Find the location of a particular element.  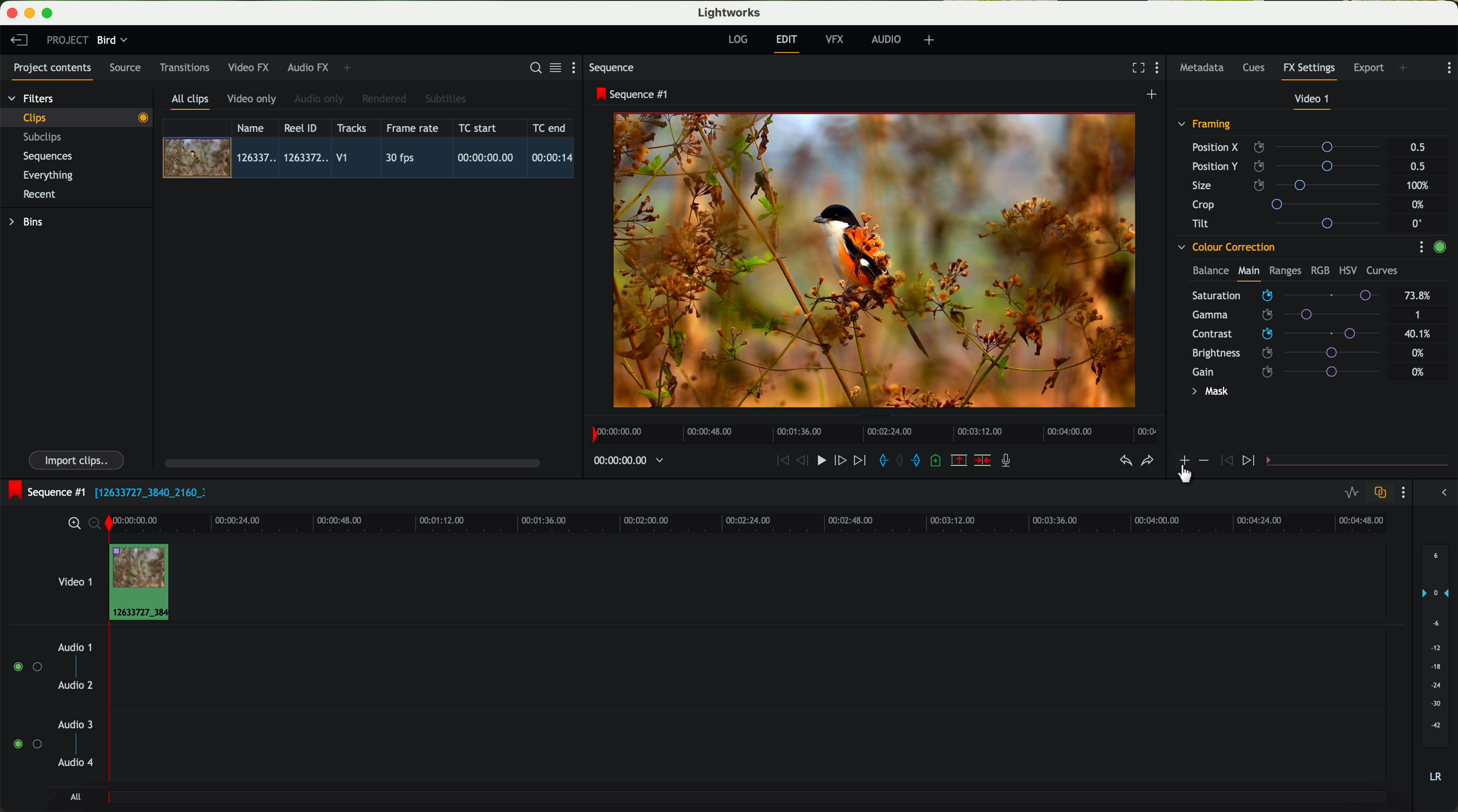

balance is located at coordinates (1211, 272).